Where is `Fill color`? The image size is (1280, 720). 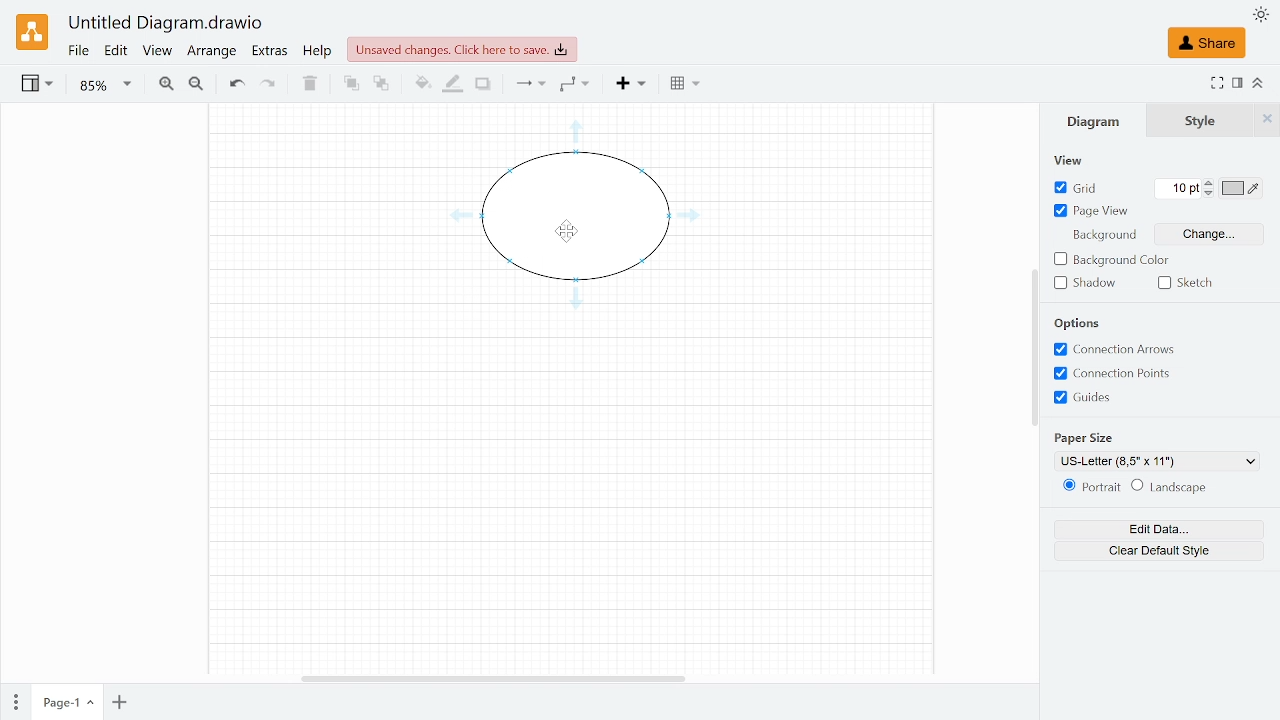
Fill color is located at coordinates (422, 83).